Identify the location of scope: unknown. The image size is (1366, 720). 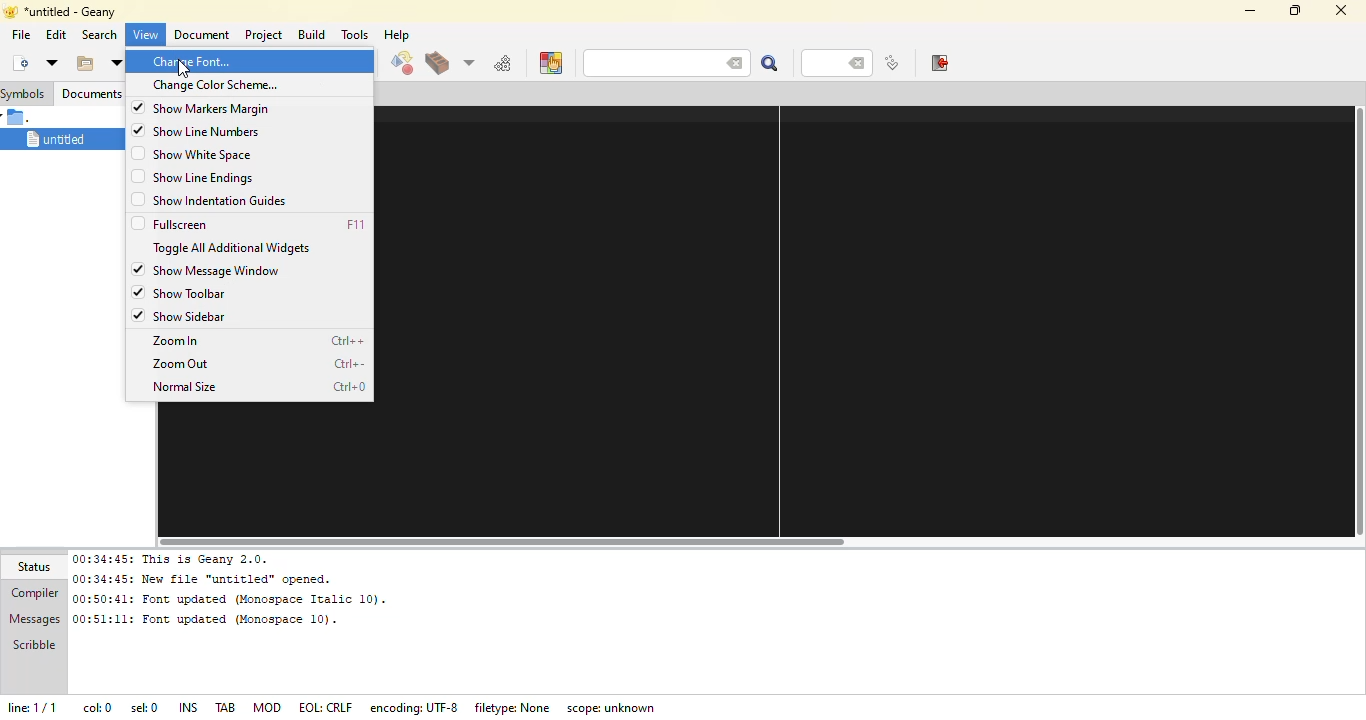
(615, 708).